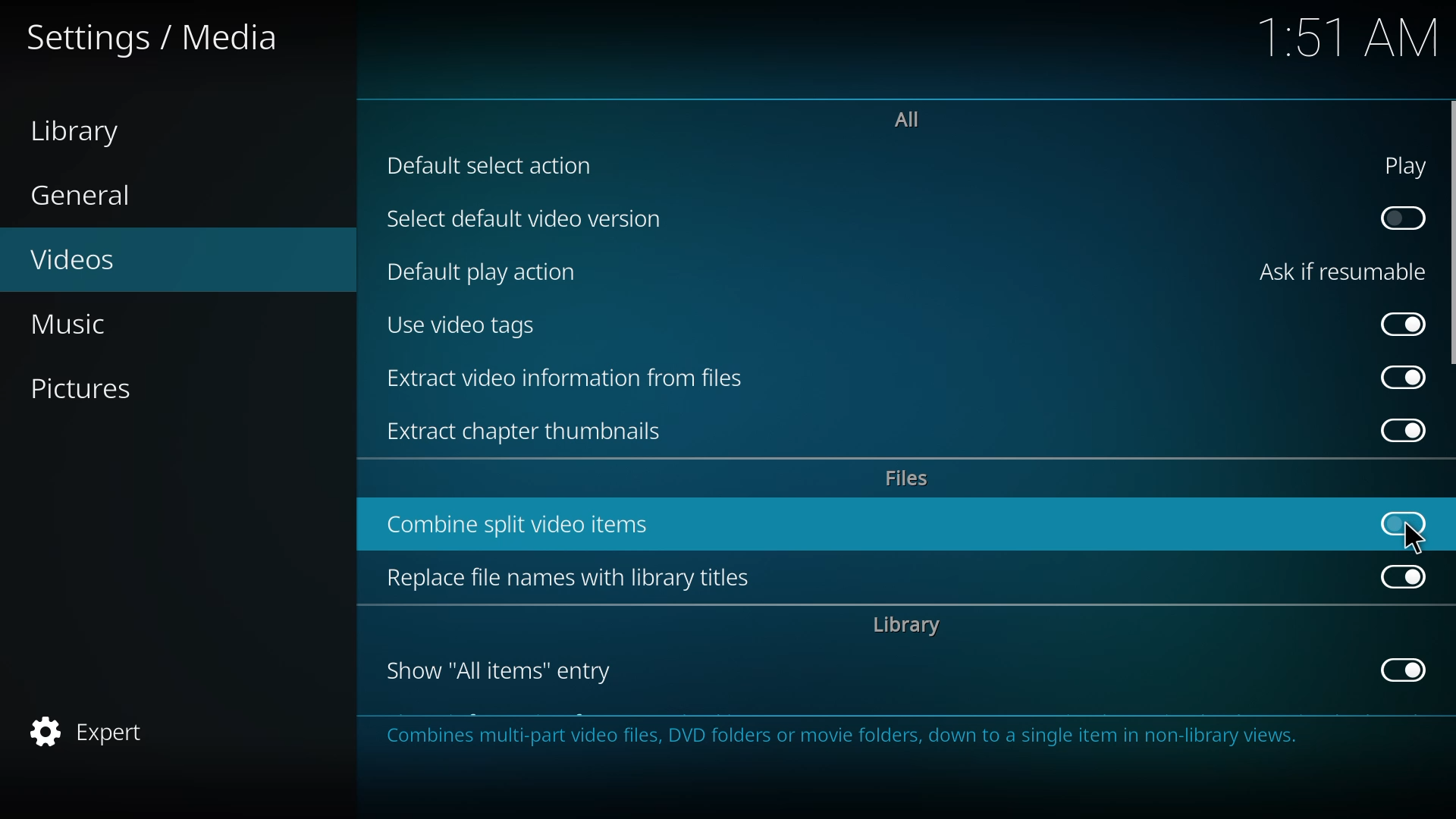 This screenshot has height=819, width=1456. Describe the element at coordinates (569, 377) in the screenshot. I see `extract video information from files` at that location.